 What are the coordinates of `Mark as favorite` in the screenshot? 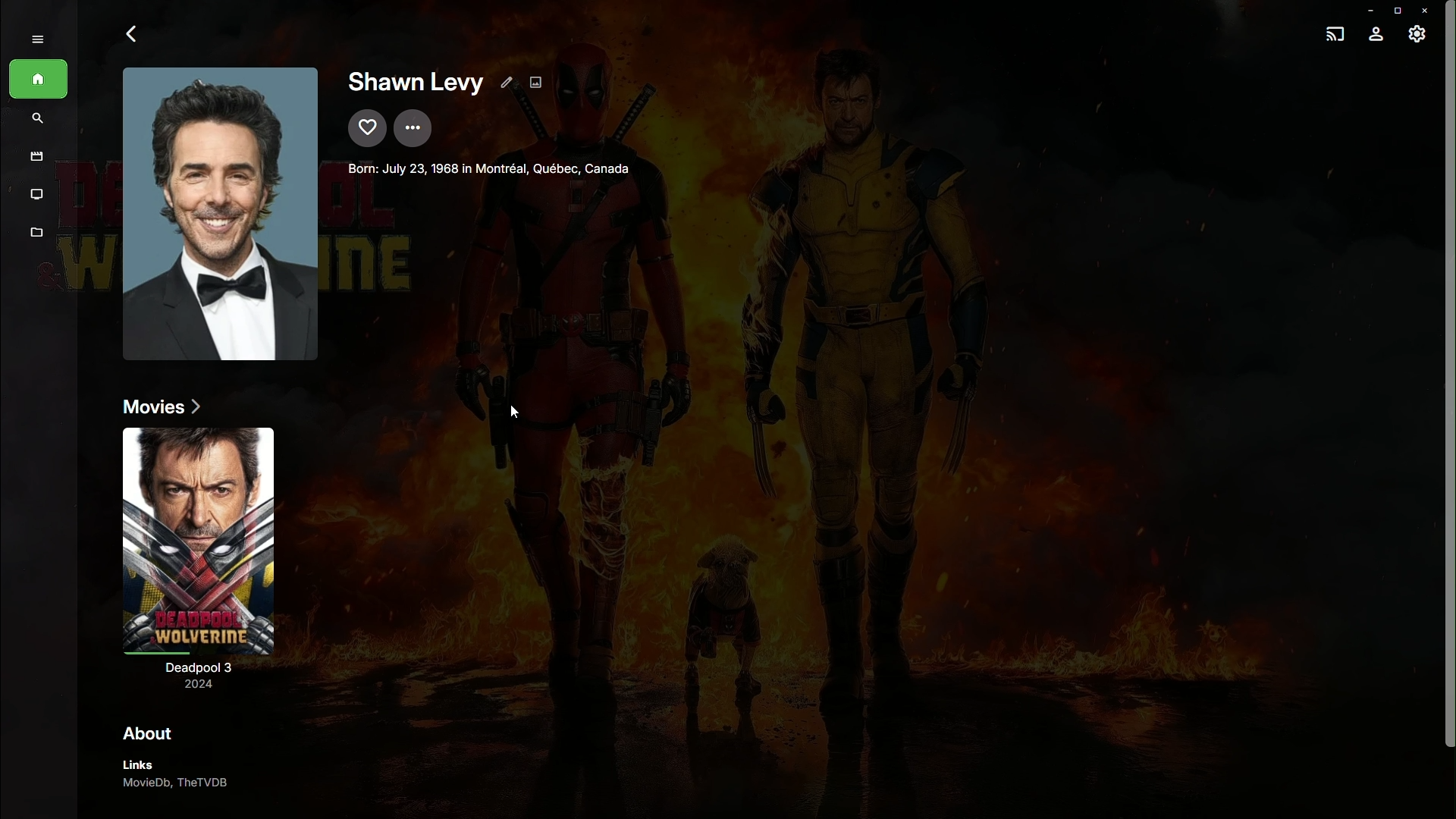 It's located at (365, 129).